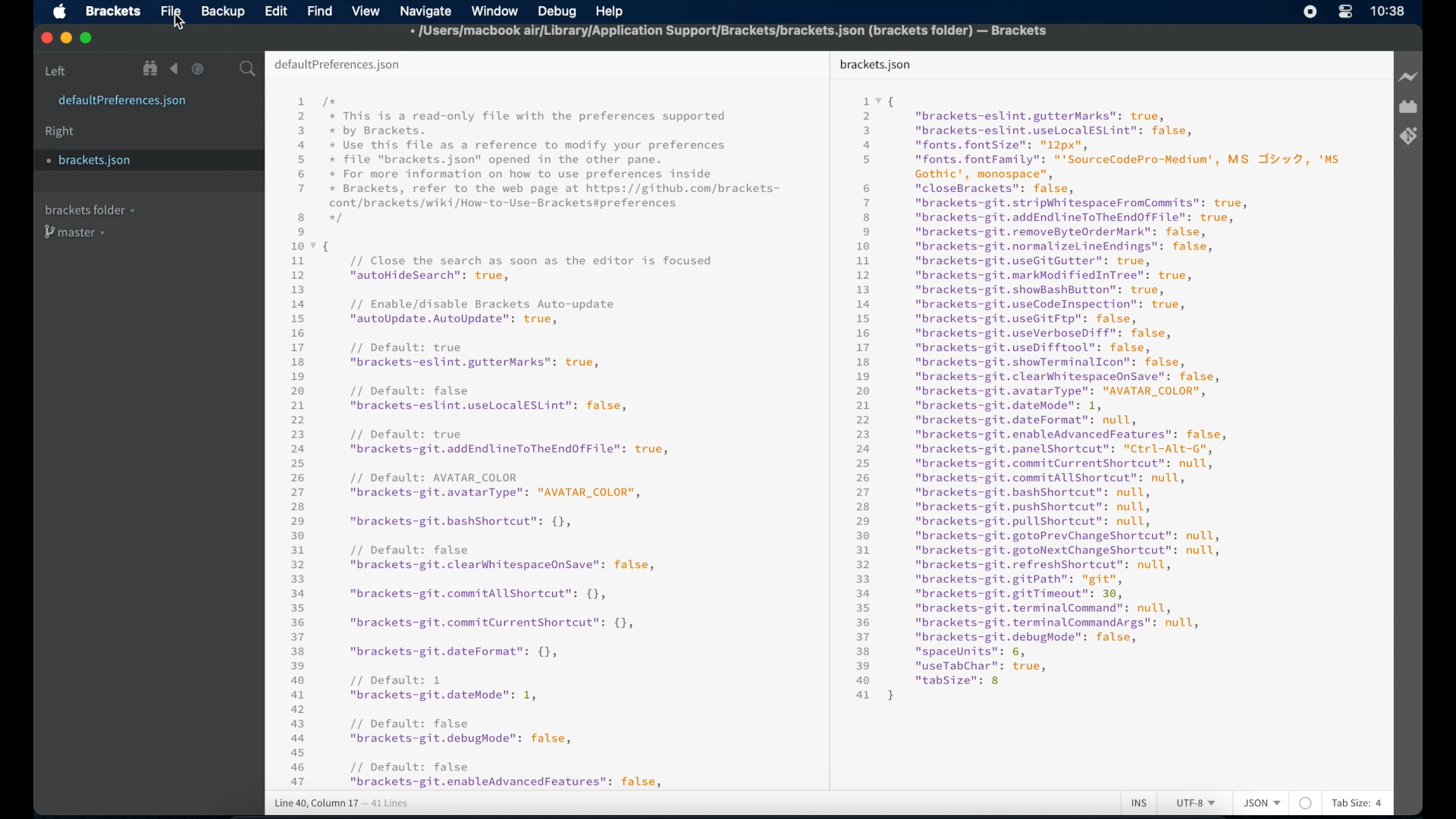 Image resolution: width=1456 pixels, height=819 pixels. What do you see at coordinates (1098, 399) in the screenshot?
I see `json syntax` at bounding box center [1098, 399].